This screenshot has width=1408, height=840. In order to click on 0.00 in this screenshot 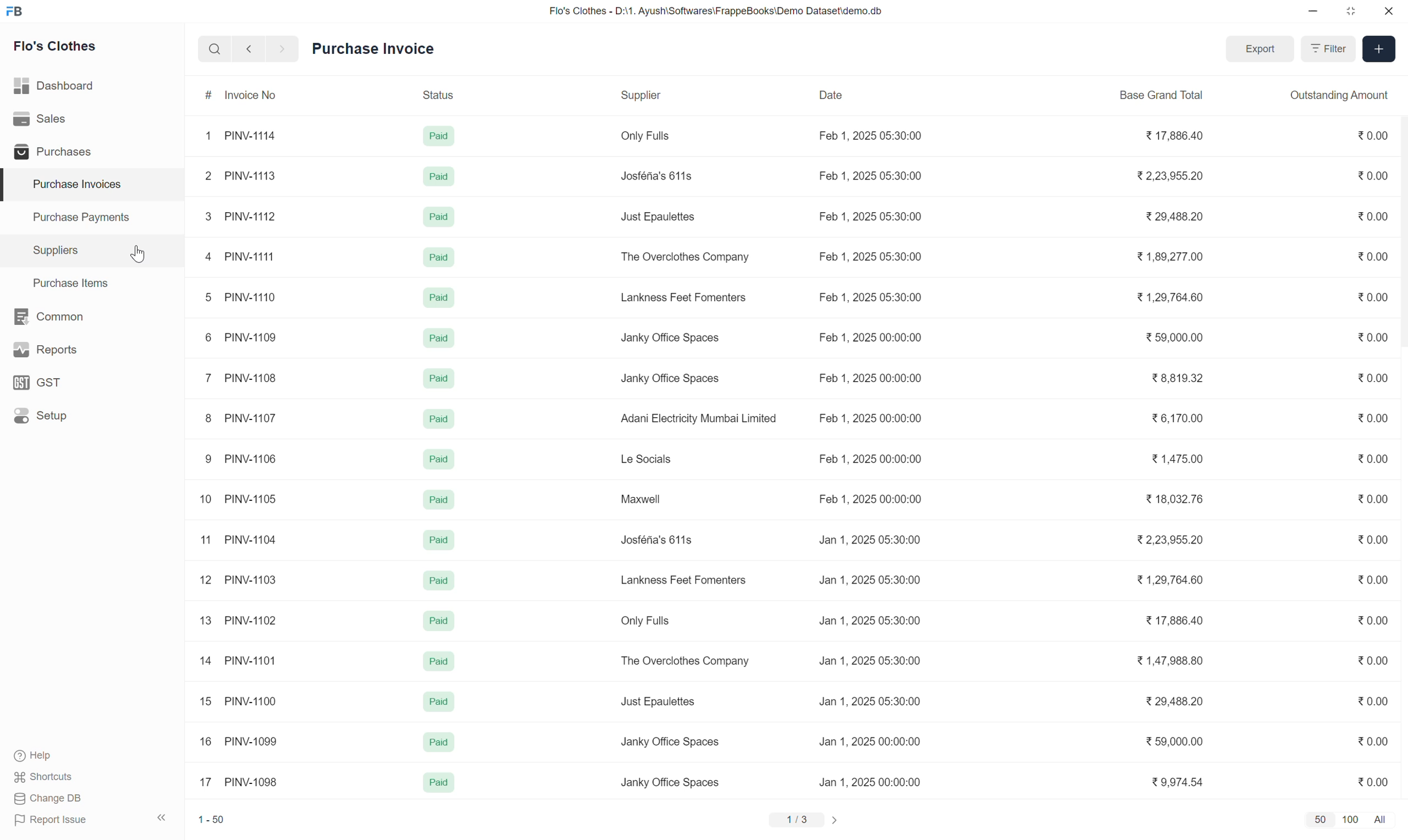, I will do `click(1375, 742)`.